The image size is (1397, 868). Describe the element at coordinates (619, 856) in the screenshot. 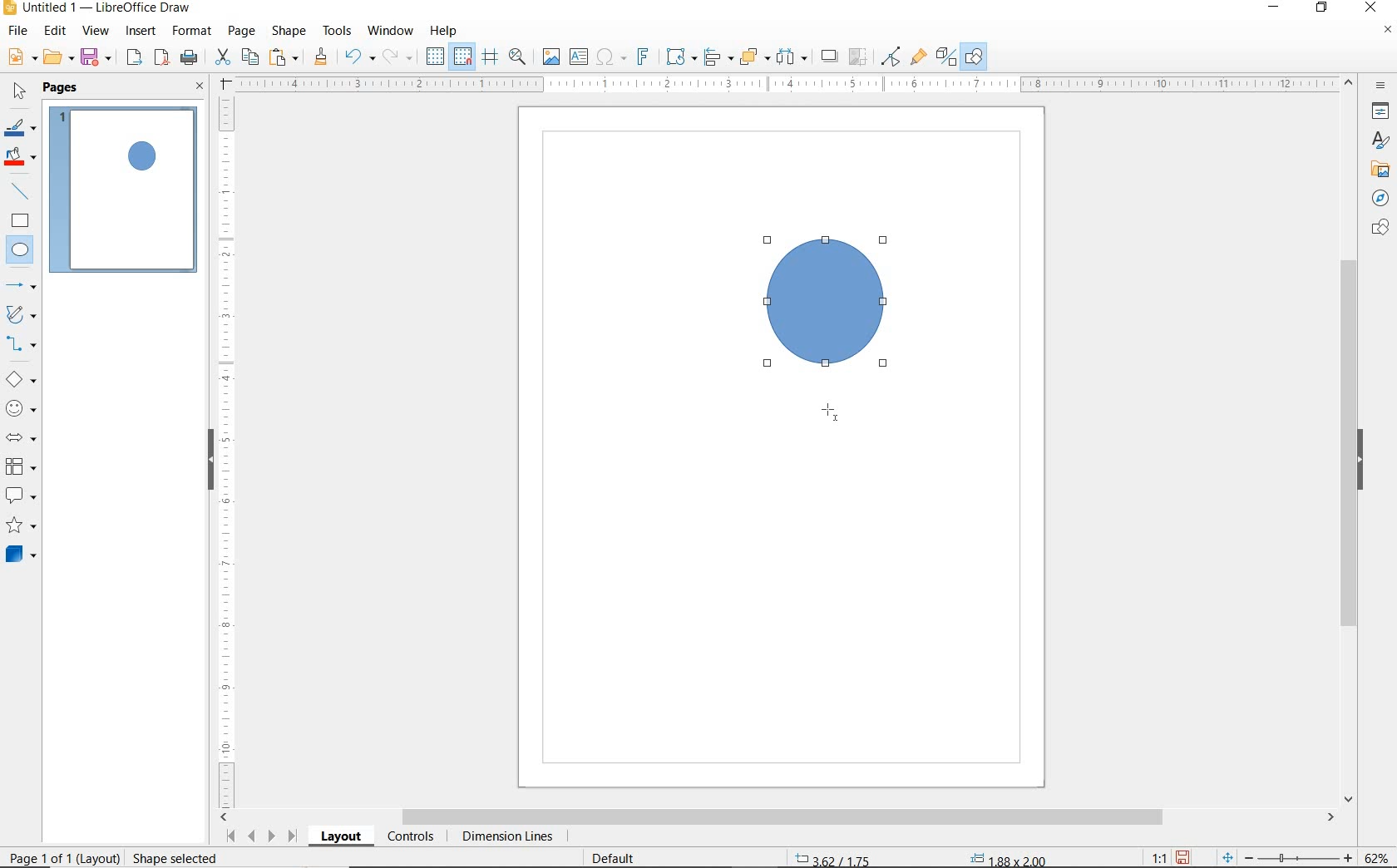

I see `DEFAULT` at that location.